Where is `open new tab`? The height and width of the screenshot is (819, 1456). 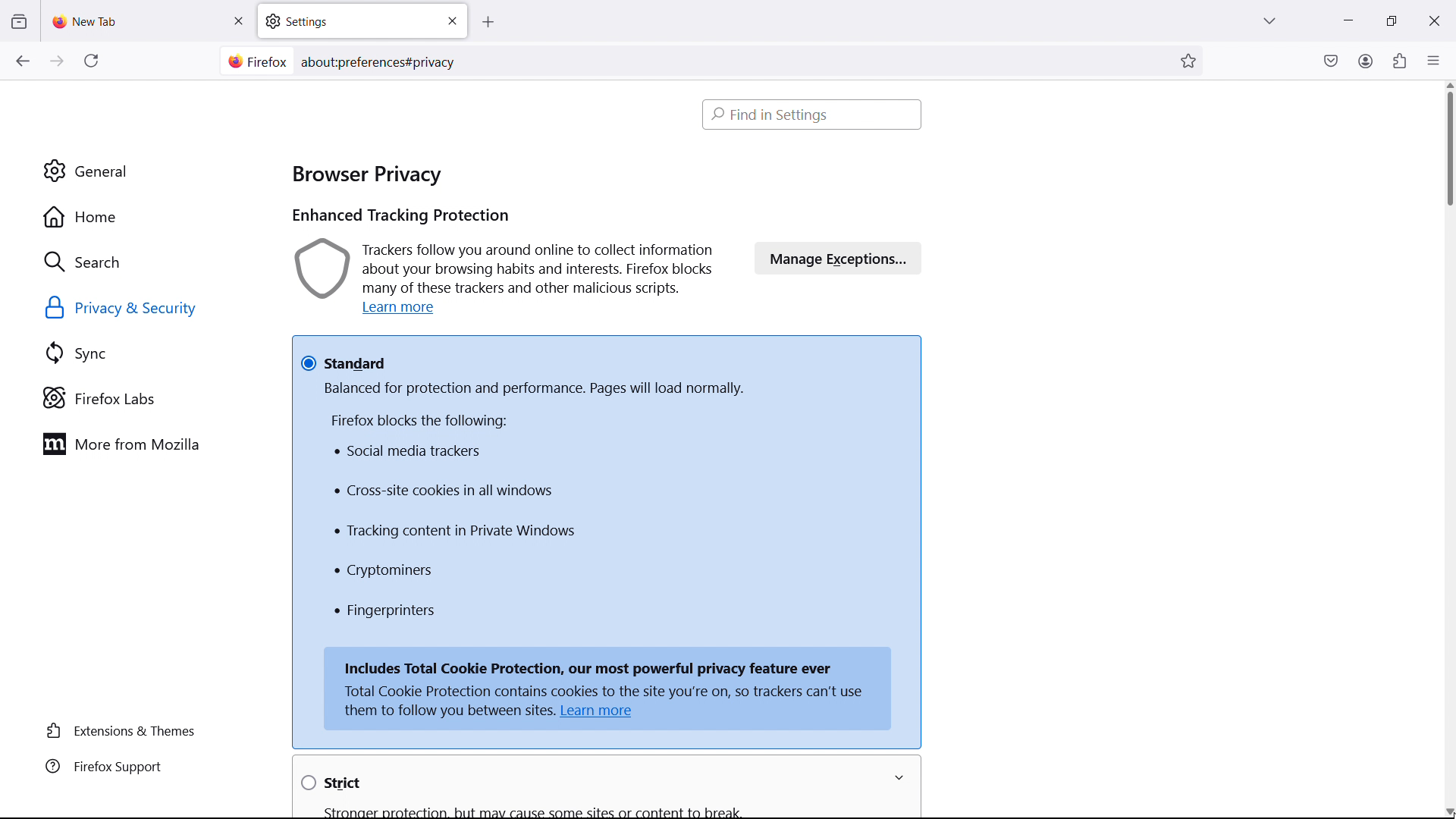
open new tab is located at coordinates (503, 23).